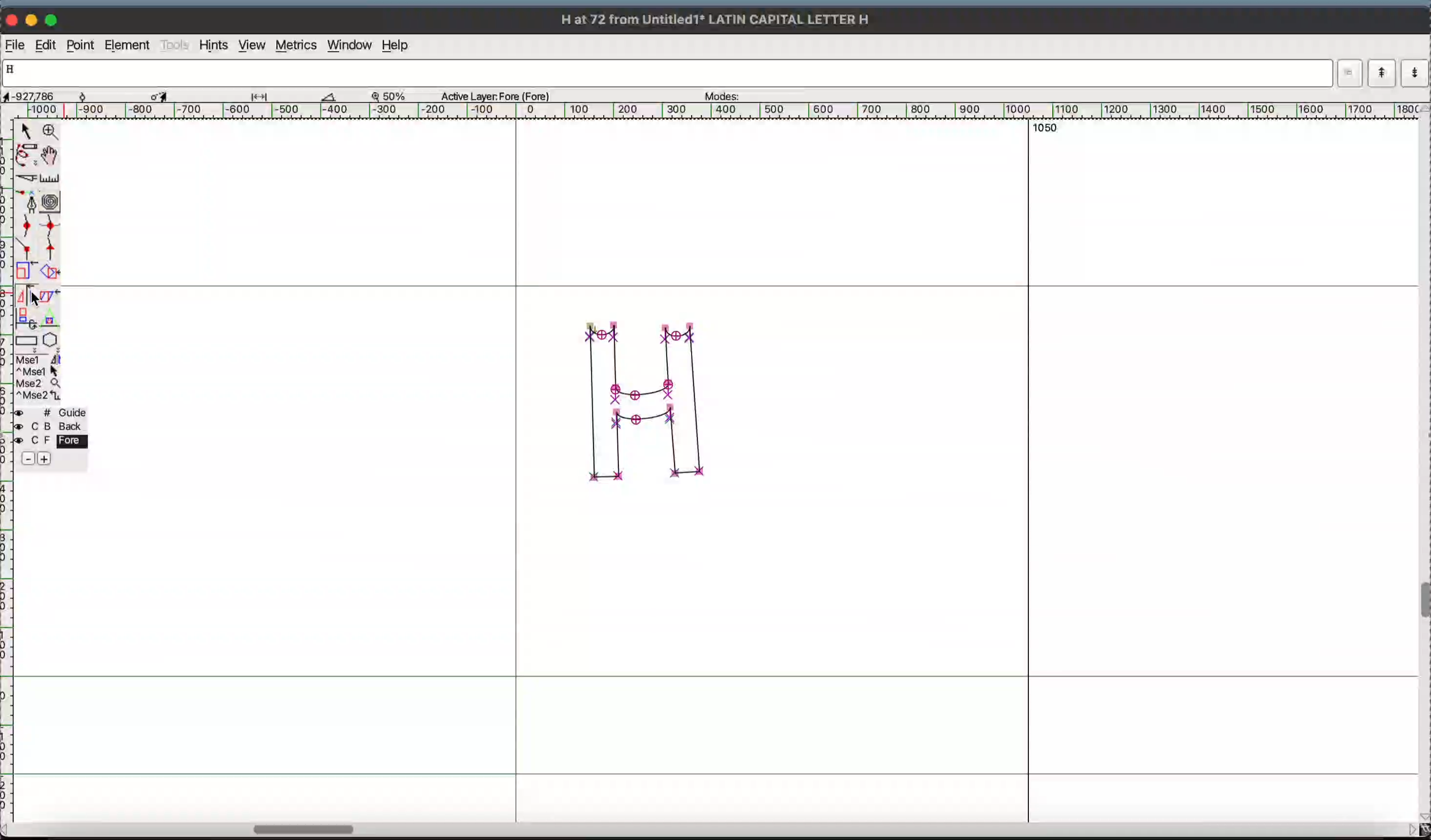 This screenshot has width=1431, height=840. I want to click on perspective, so click(50, 318).